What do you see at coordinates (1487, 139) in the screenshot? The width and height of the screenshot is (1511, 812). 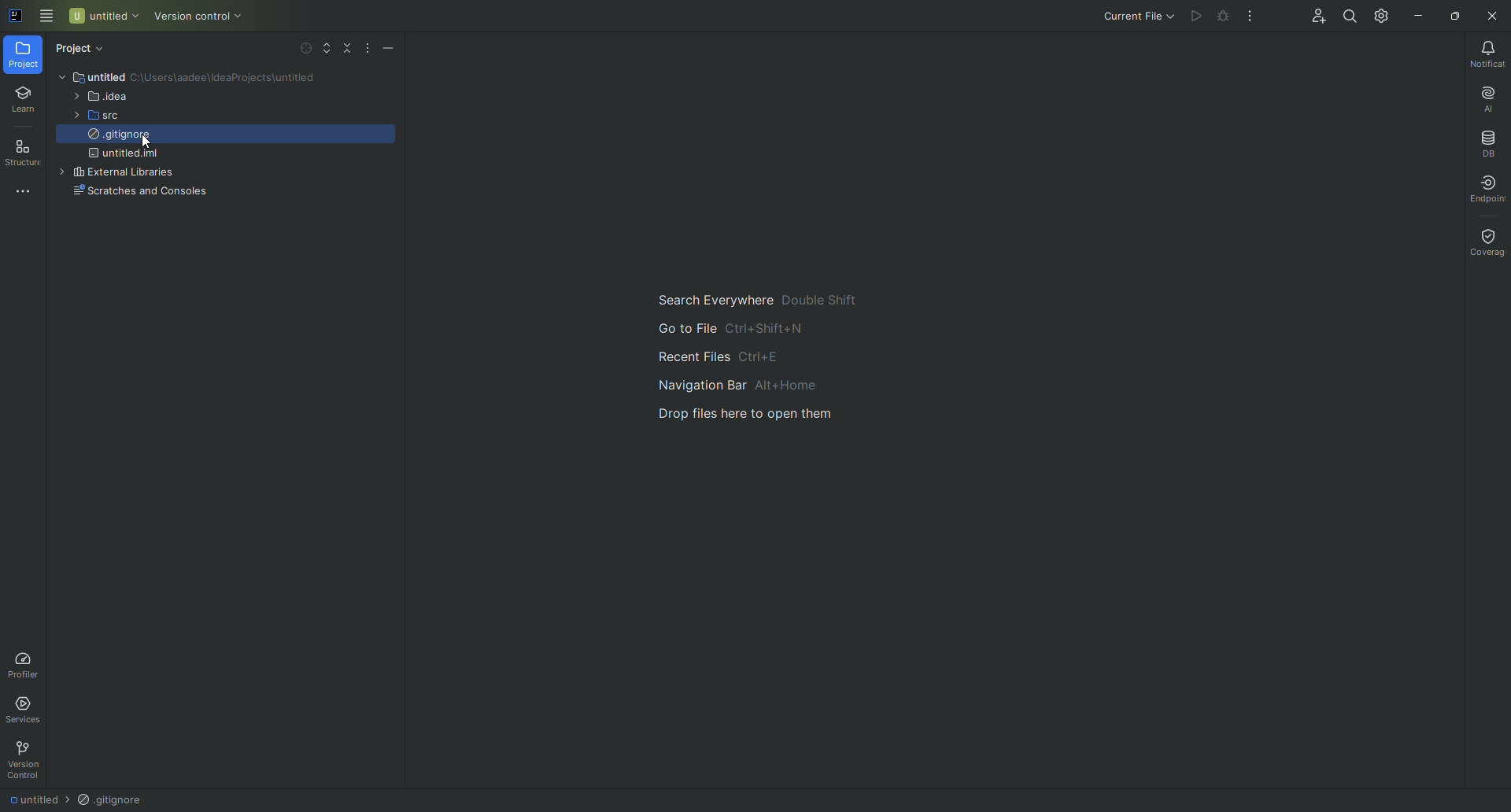 I see `Database` at bounding box center [1487, 139].